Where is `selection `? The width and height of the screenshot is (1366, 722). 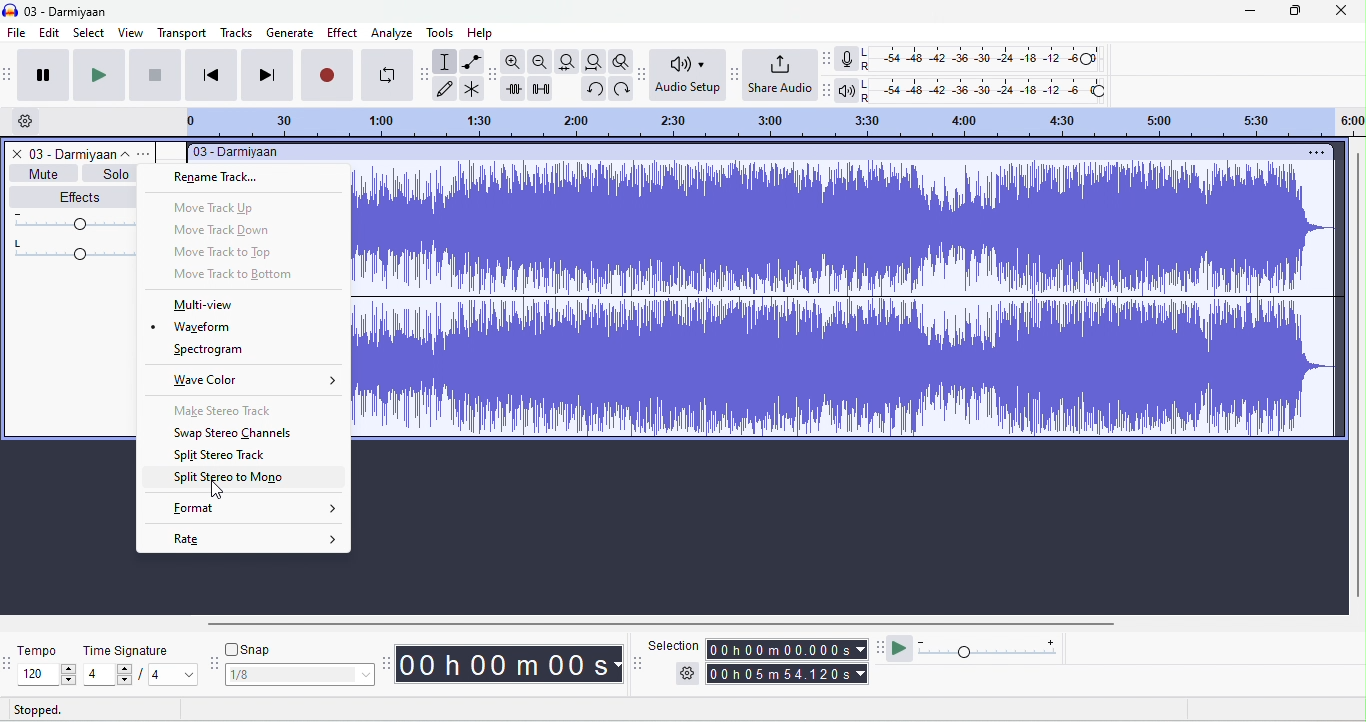
selection  is located at coordinates (671, 643).